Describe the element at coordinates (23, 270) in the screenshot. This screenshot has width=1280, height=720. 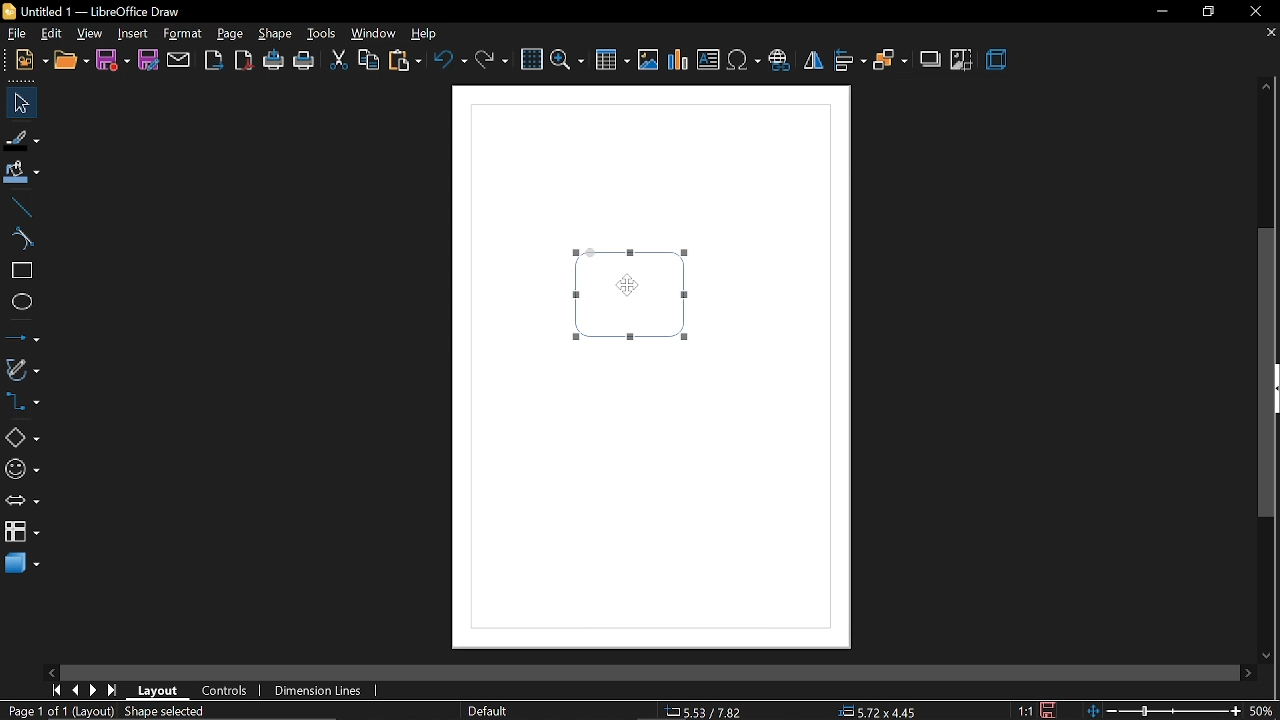
I see `rectangle` at that location.